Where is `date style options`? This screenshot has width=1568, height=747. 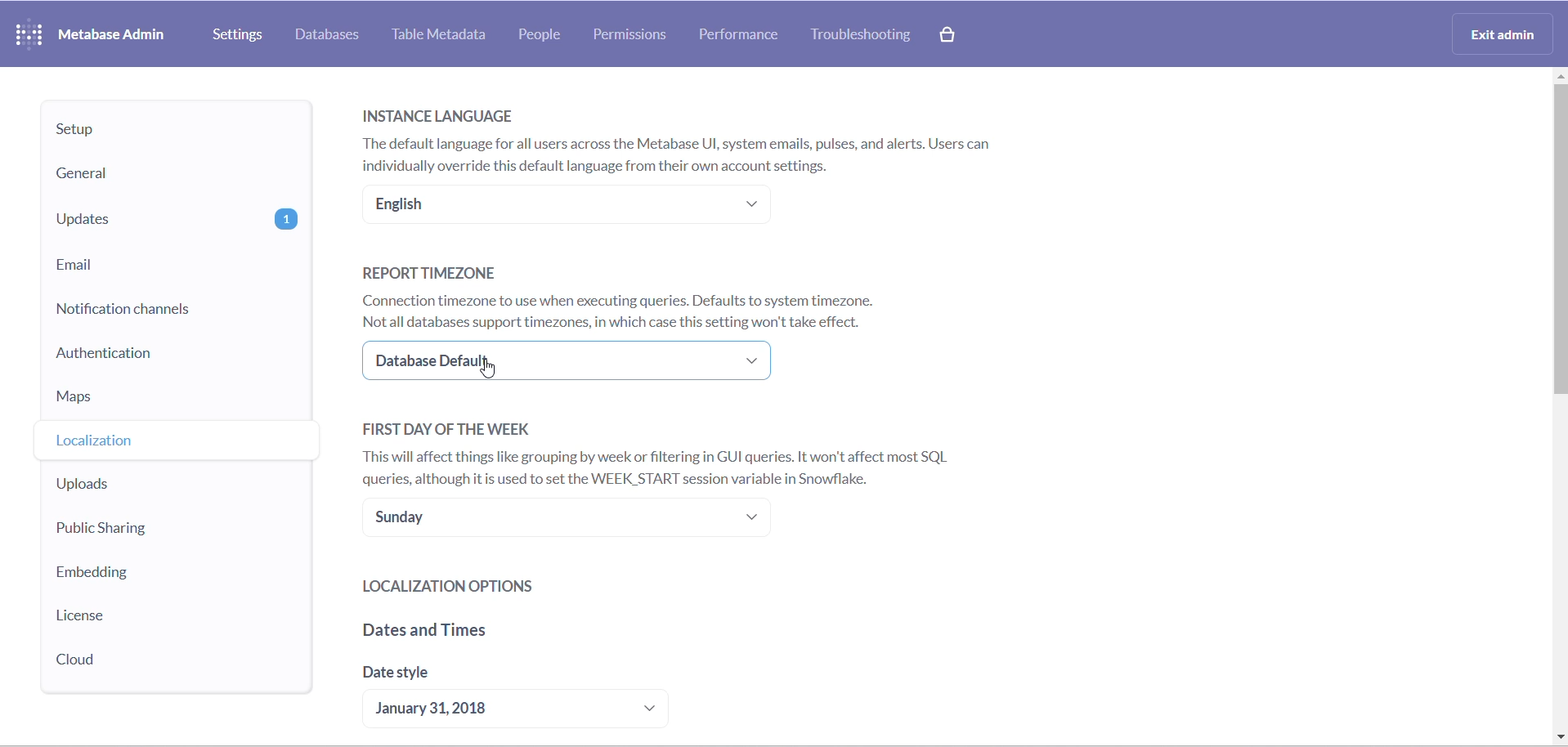 date style options is located at coordinates (528, 710).